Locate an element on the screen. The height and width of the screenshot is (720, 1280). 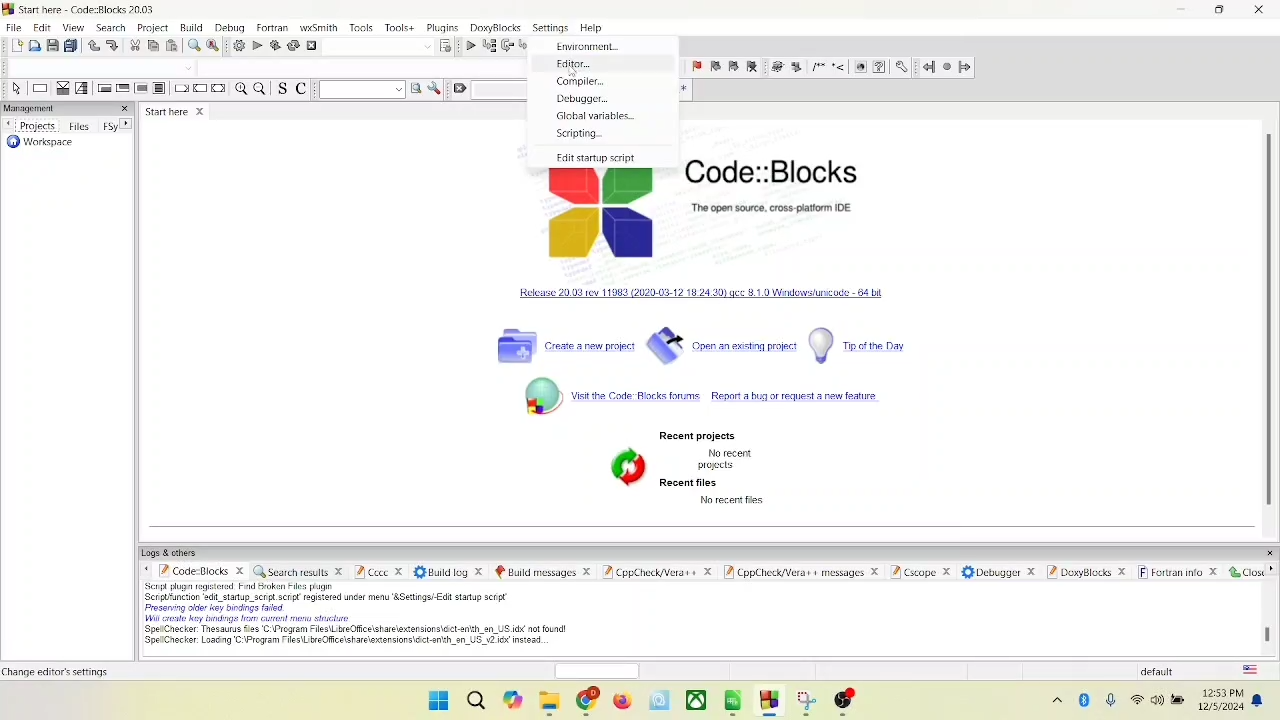
new is located at coordinates (12, 45).